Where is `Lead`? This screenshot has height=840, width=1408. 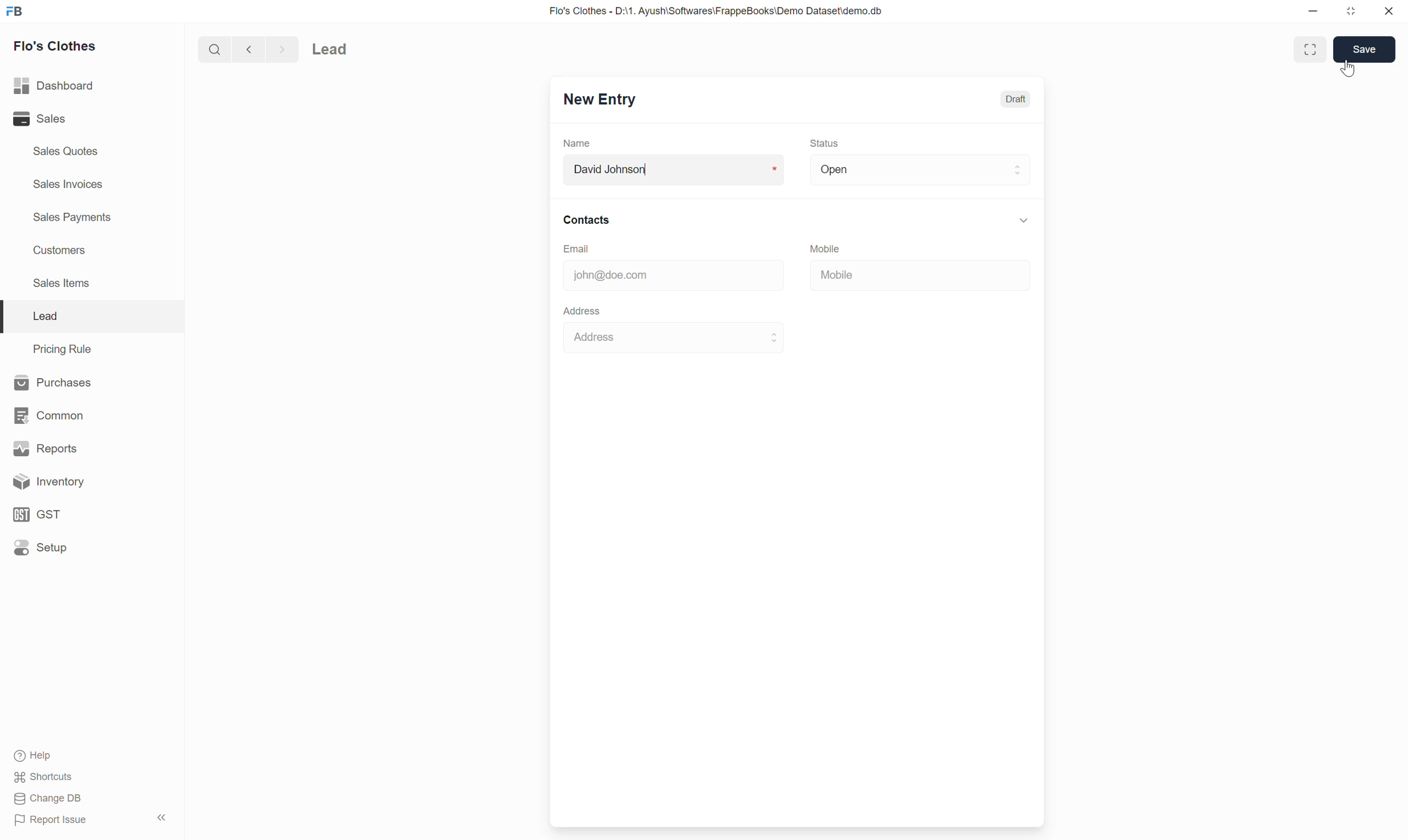
Lead is located at coordinates (361, 48).